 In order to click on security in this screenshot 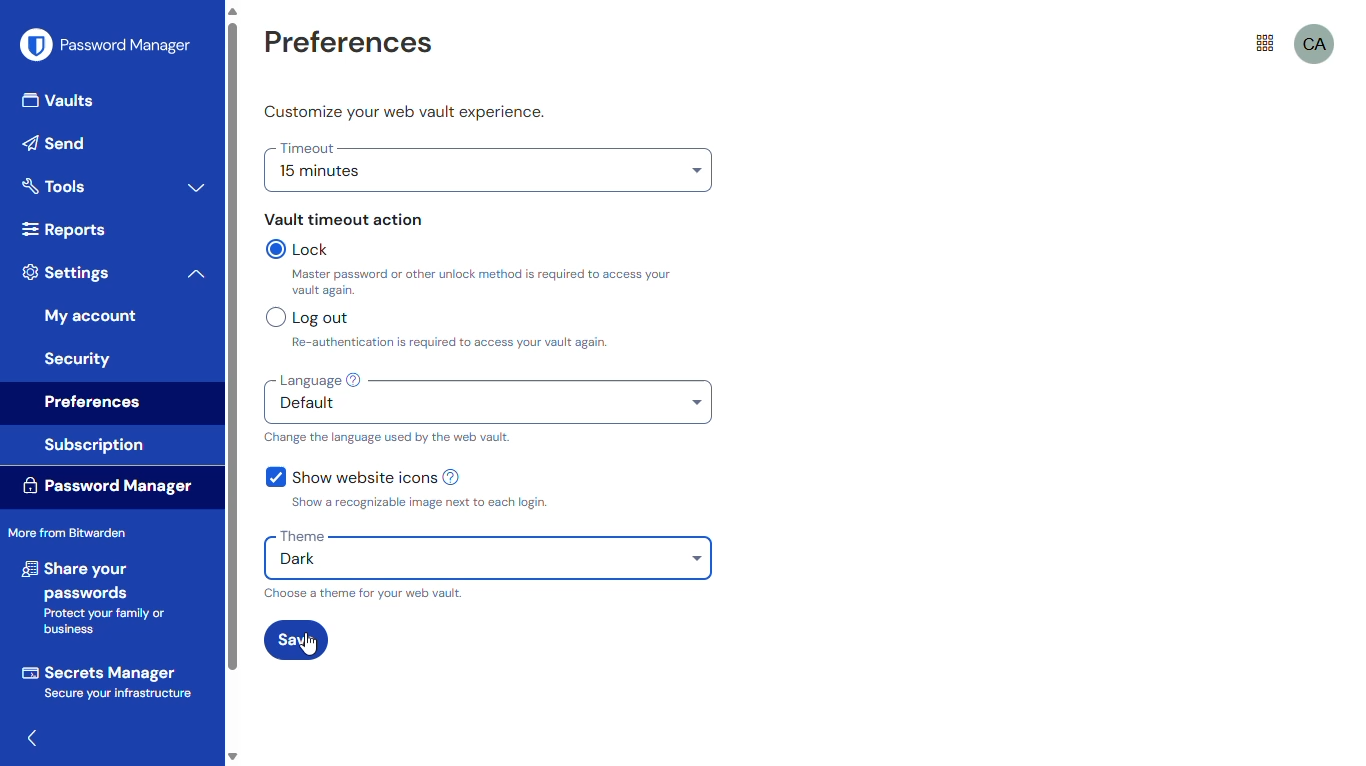, I will do `click(79, 358)`.